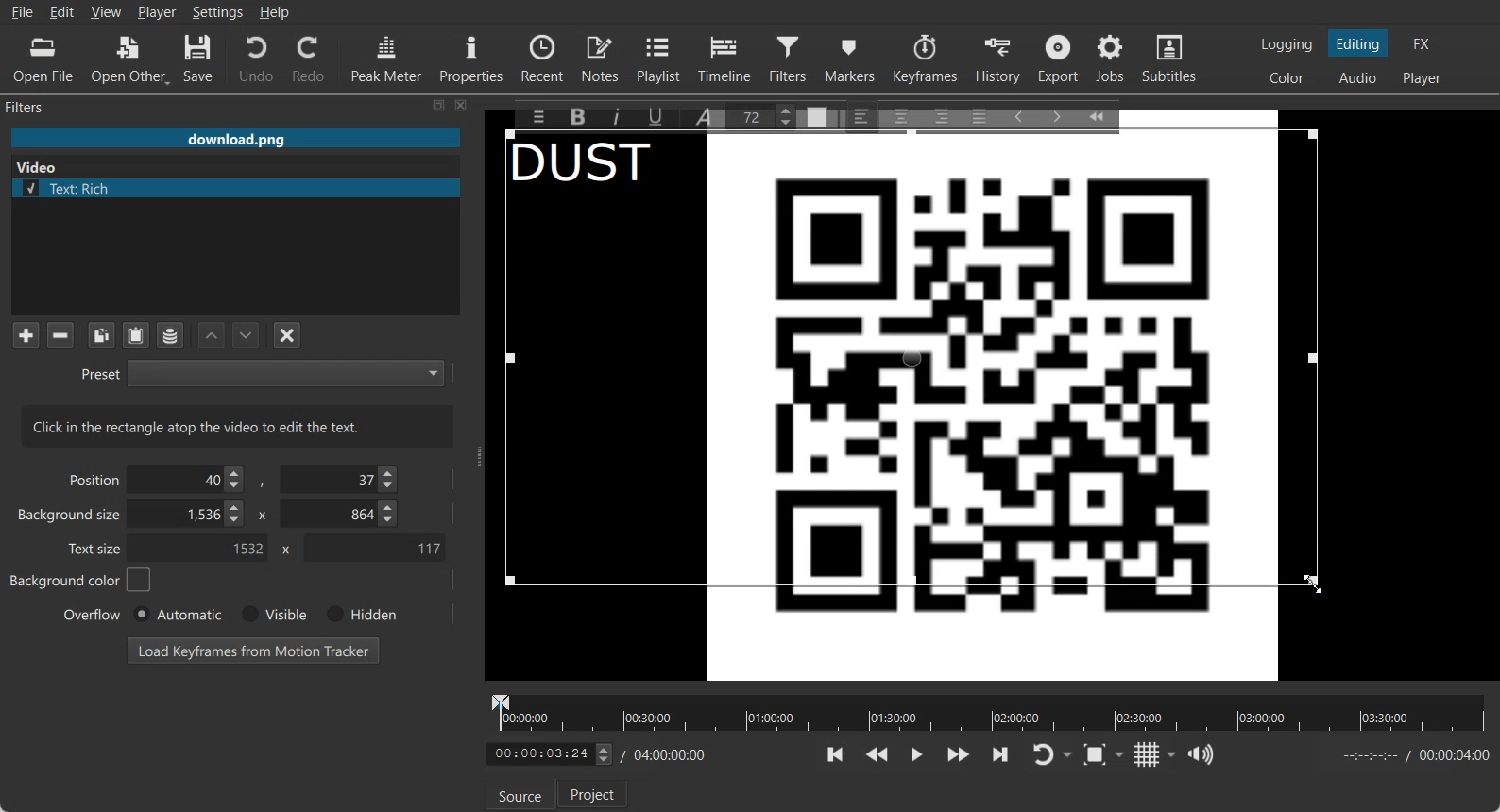  What do you see at coordinates (1359, 78) in the screenshot?
I see `Switching to the Audio layout` at bounding box center [1359, 78].